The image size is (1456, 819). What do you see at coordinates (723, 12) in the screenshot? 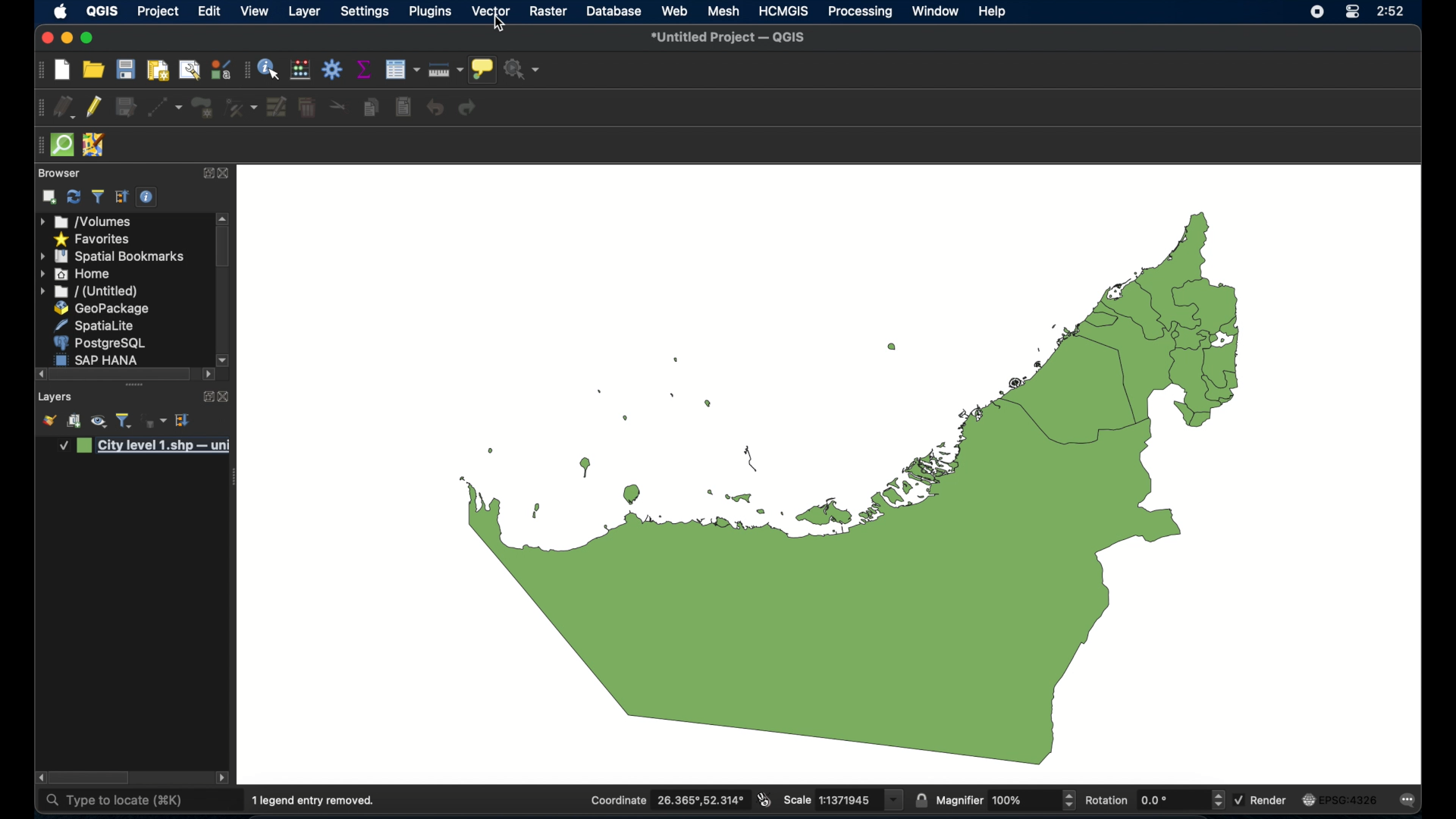
I see `mesh` at bounding box center [723, 12].